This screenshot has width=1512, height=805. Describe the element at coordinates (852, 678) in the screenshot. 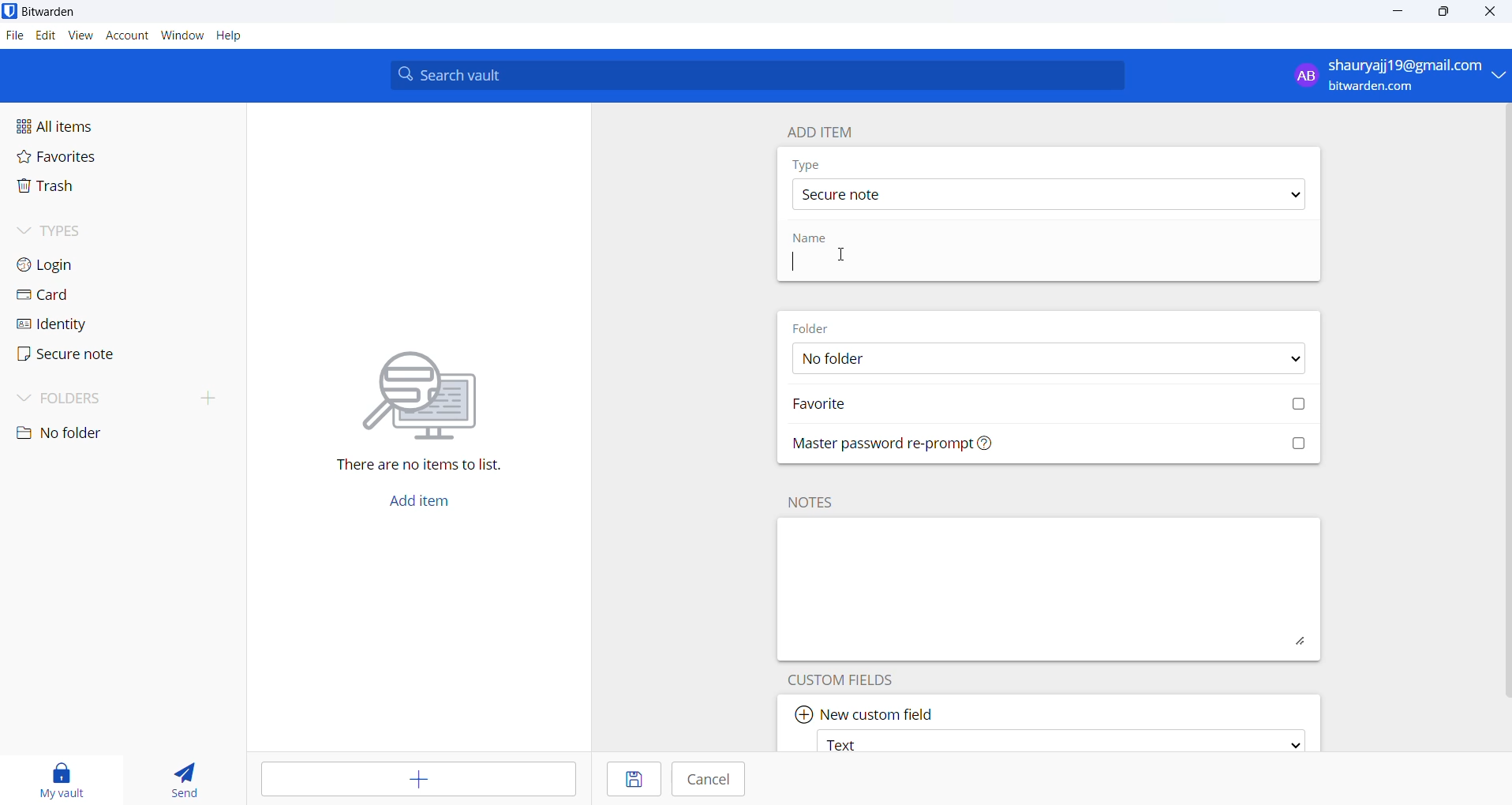

I see `custom fields heading` at that location.